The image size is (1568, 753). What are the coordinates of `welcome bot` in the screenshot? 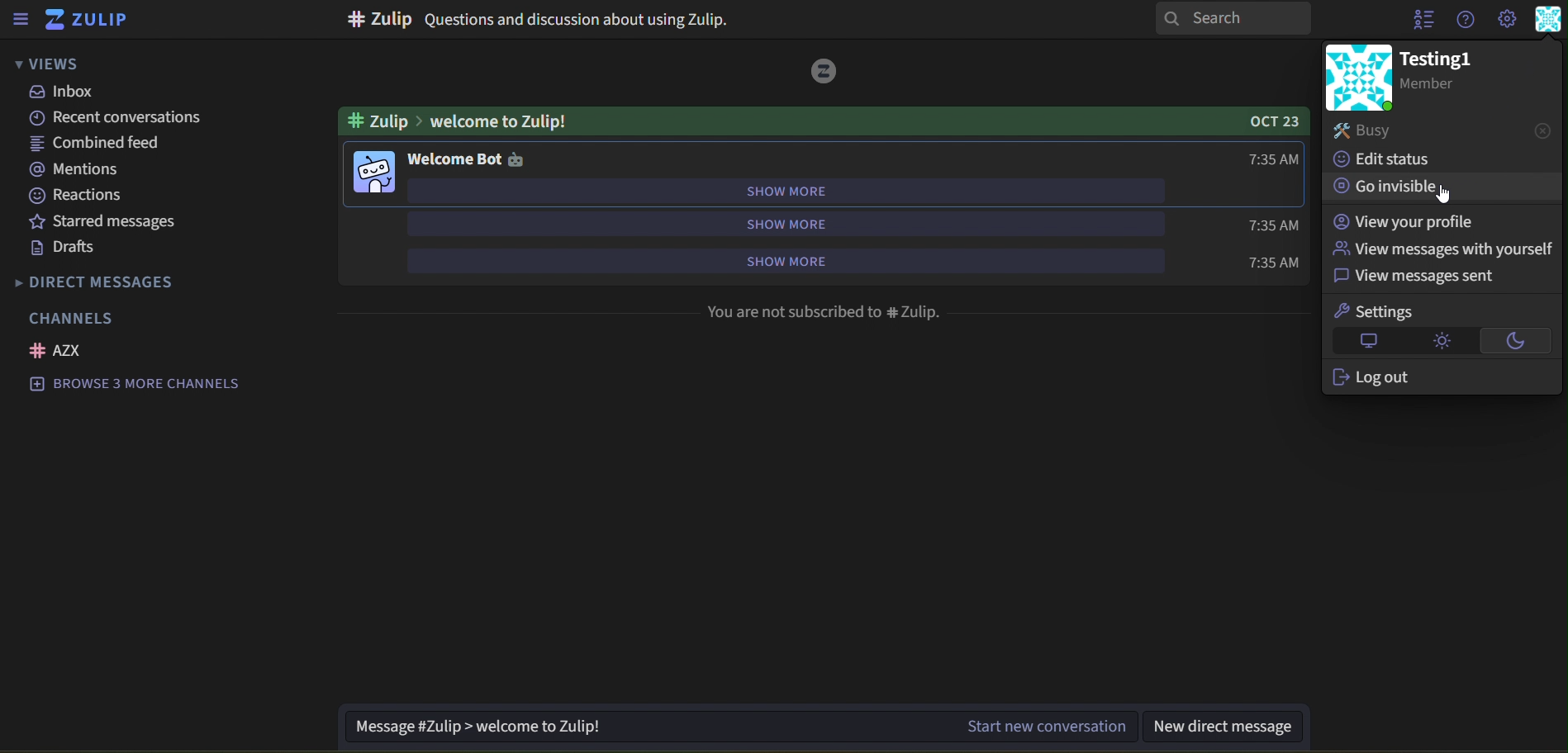 It's located at (466, 160).